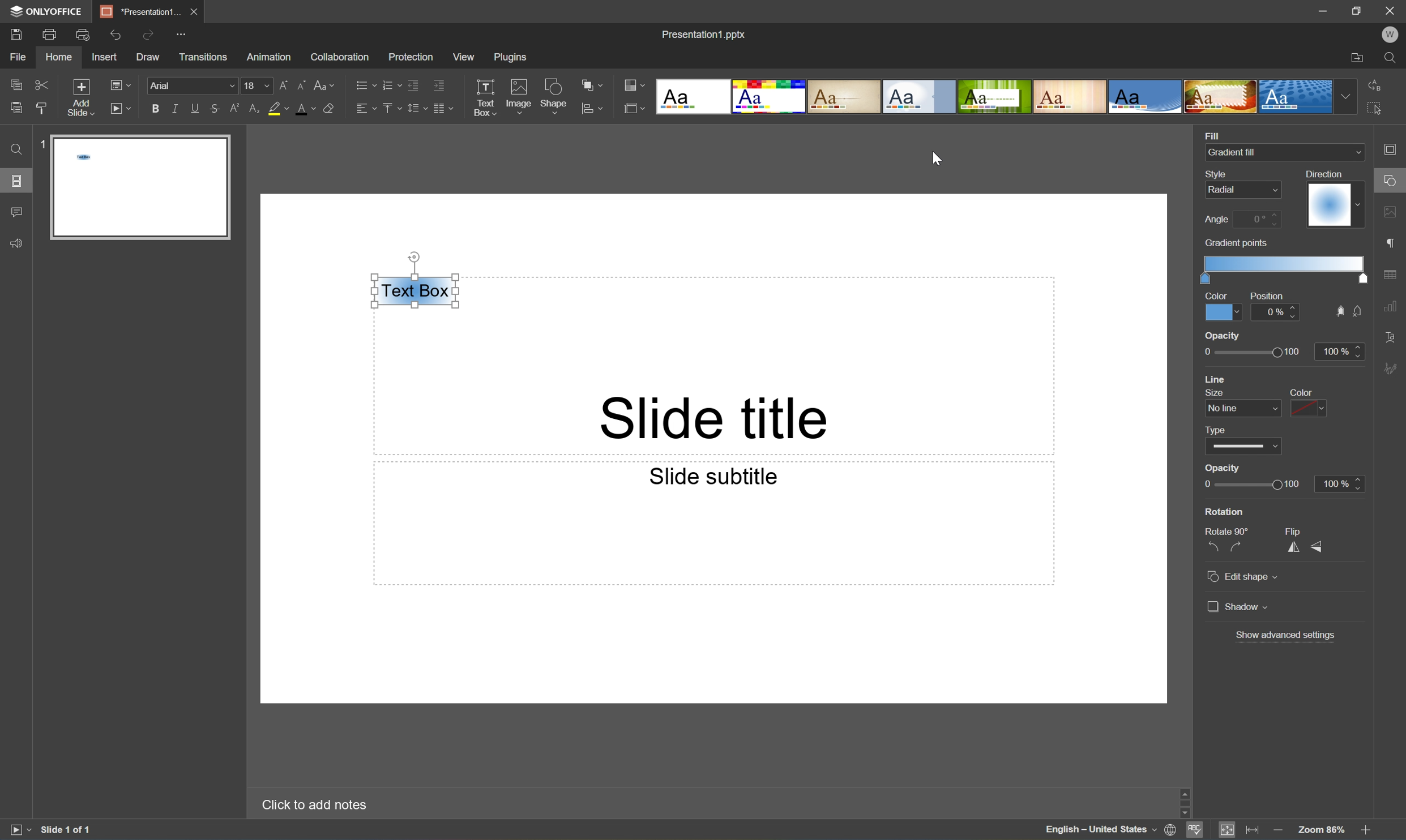 This screenshot has width=1406, height=840. I want to click on Set document language, so click(1170, 830).